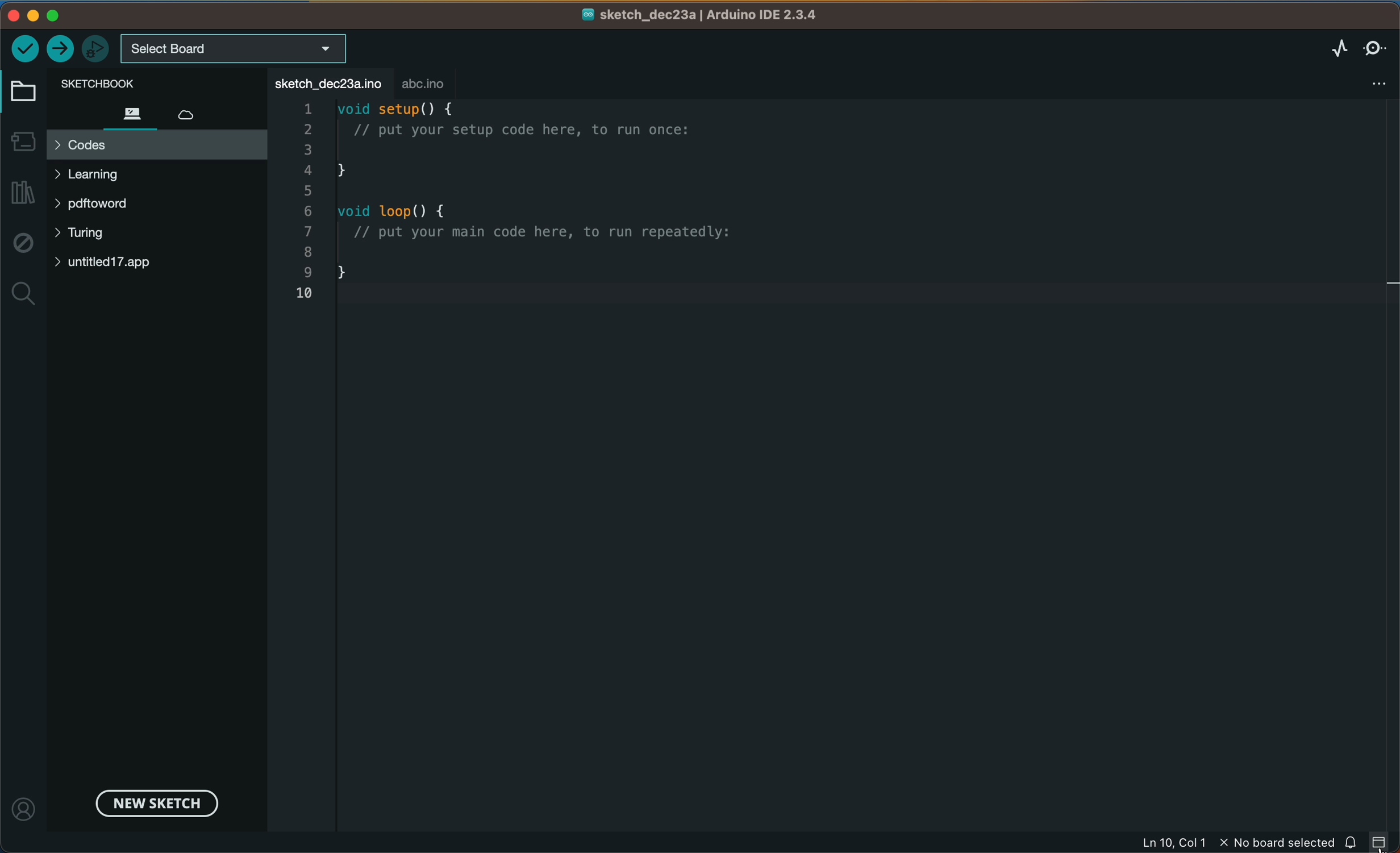 This screenshot has width=1400, height=853. Describe the element at coordinates (426, 84) in the screenshot. I see `abc` at that location.